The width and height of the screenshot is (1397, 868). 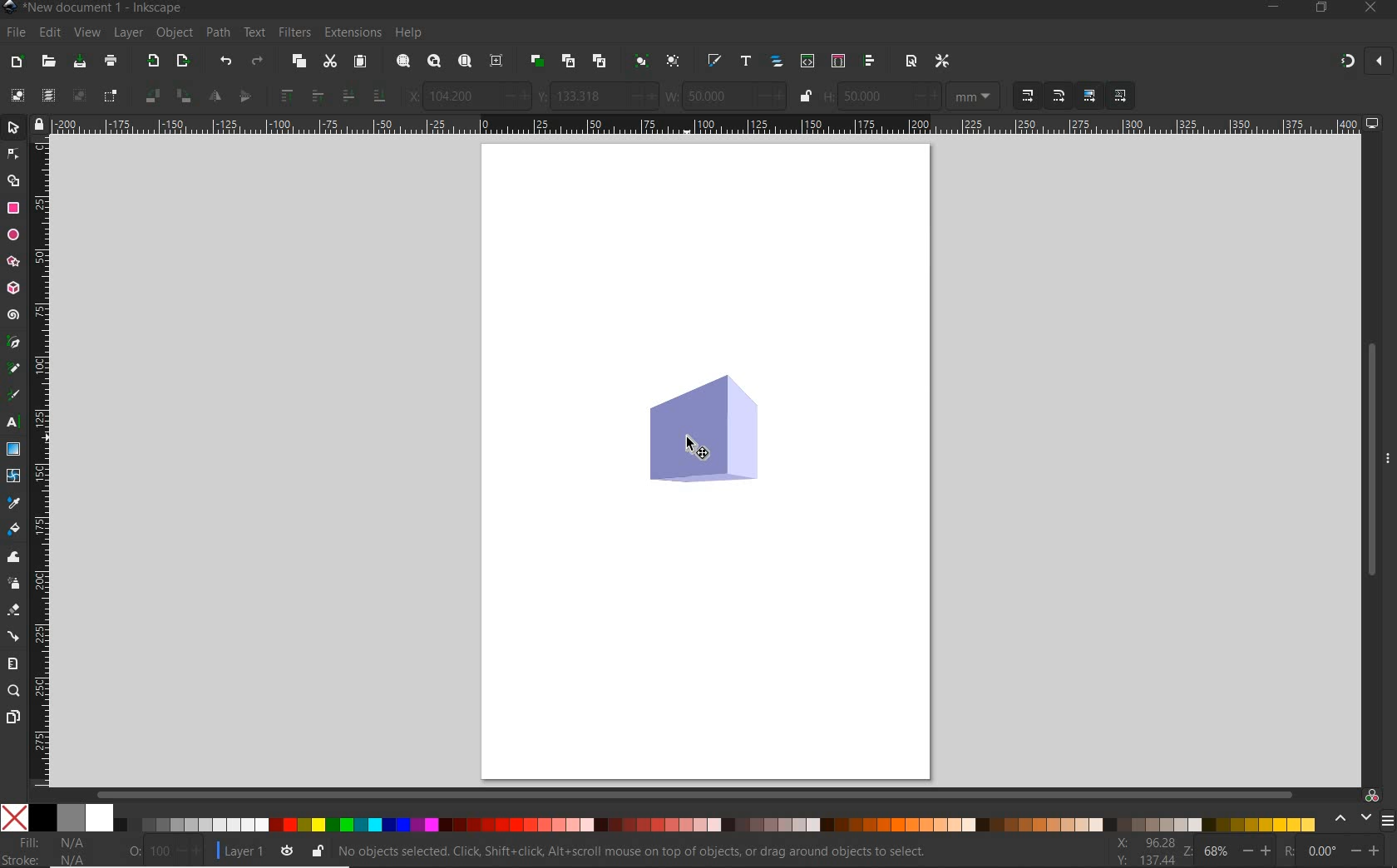 What do you see at coordinates (296, 32) in the screenshot?
I see `filters` at bounding box center [296, 32].